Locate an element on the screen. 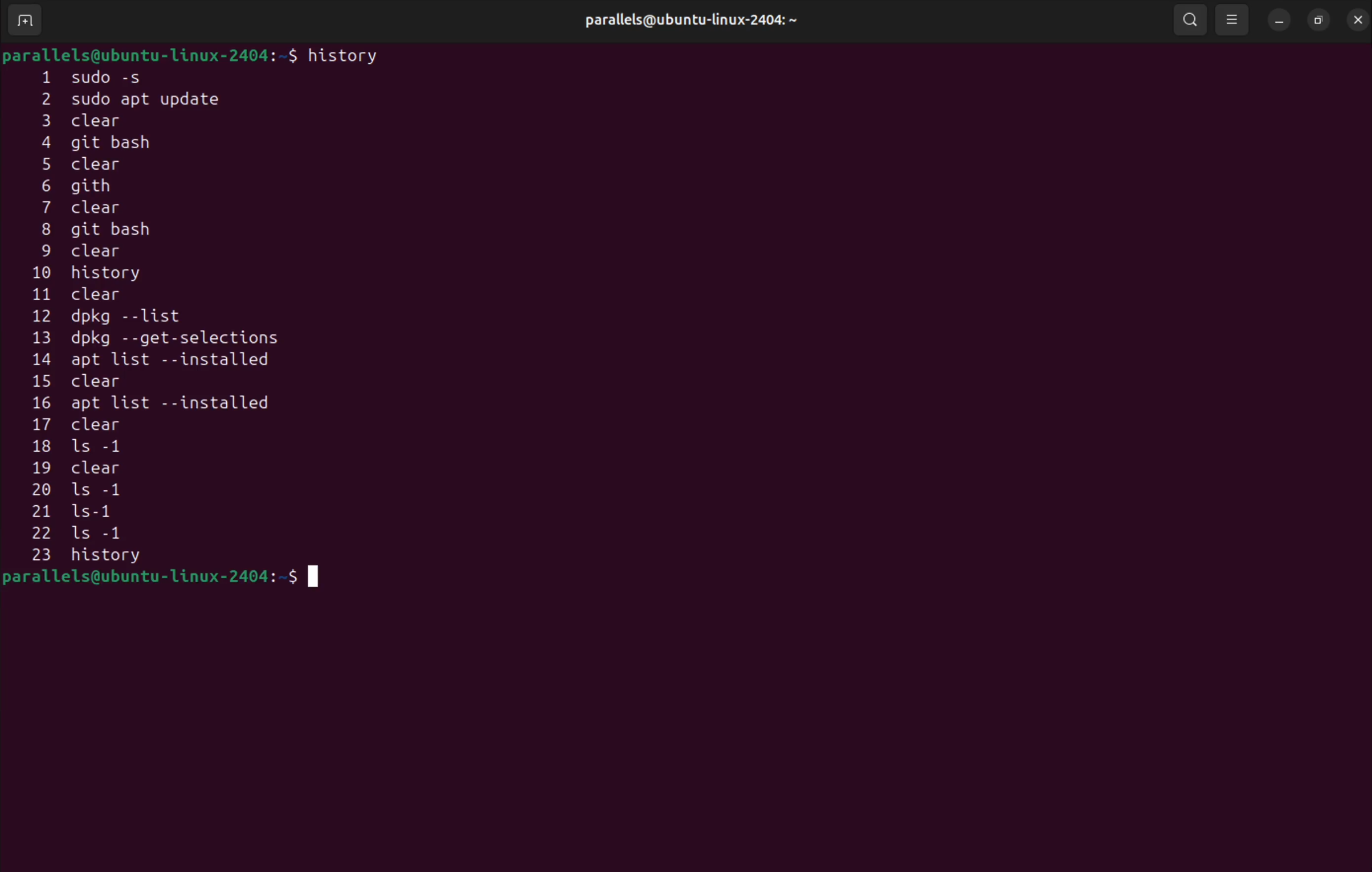 This screenshot has height=872, width=1372. bash prompts is located at coordinates (149, 54).